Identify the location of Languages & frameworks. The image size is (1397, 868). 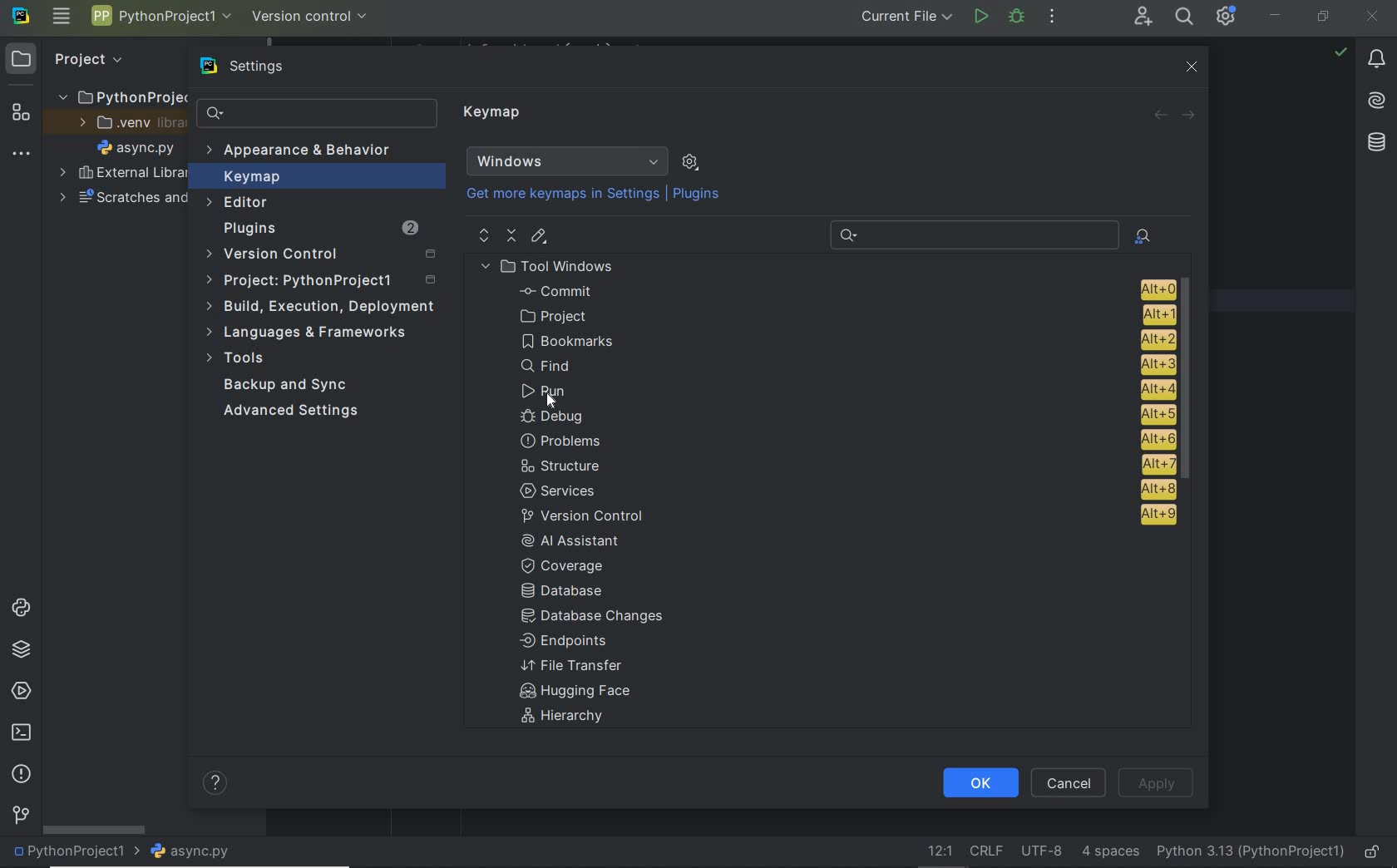
(310, 334).